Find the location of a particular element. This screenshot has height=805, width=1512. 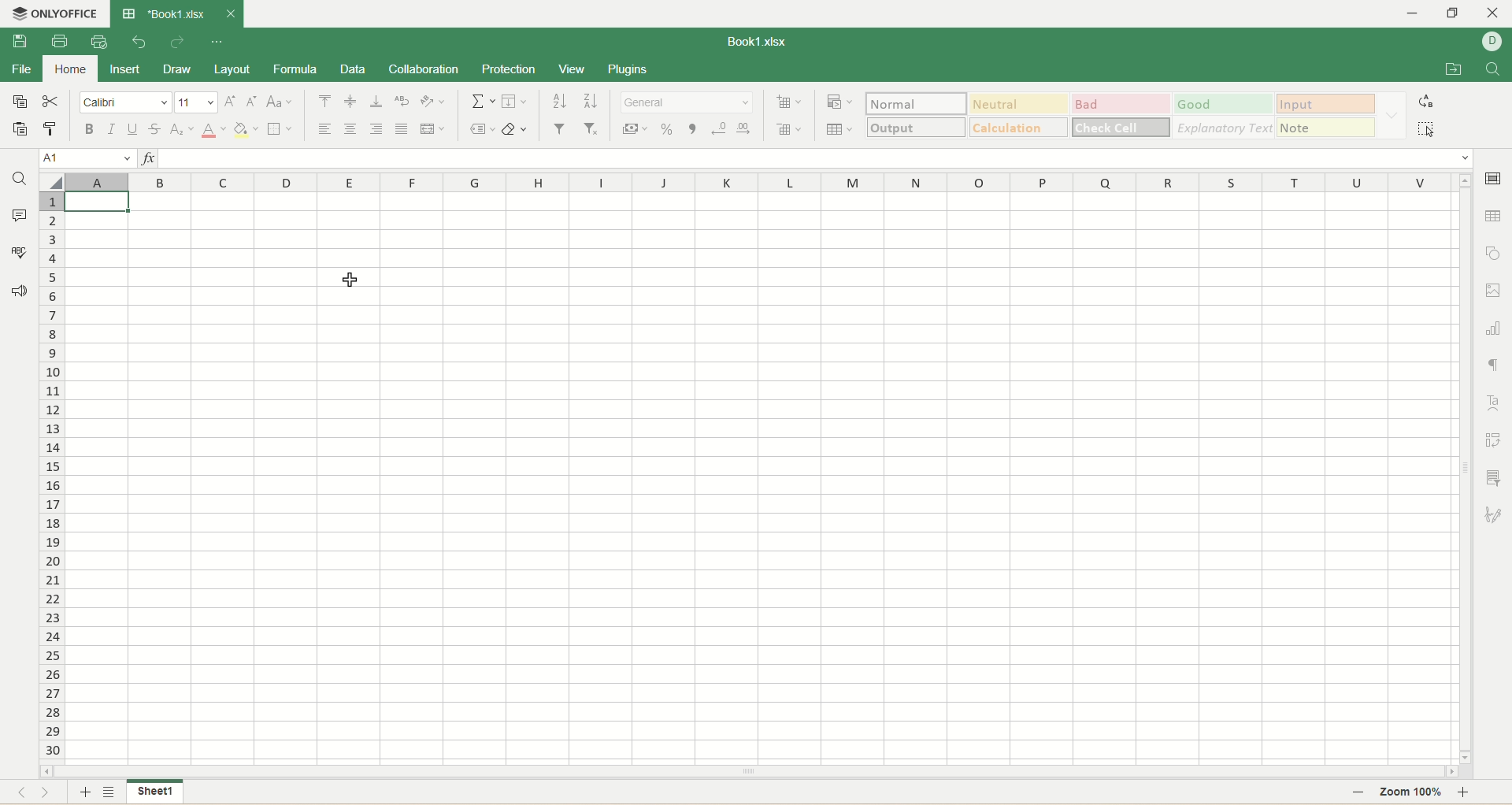

percent style is located at coordinates (668, 129).